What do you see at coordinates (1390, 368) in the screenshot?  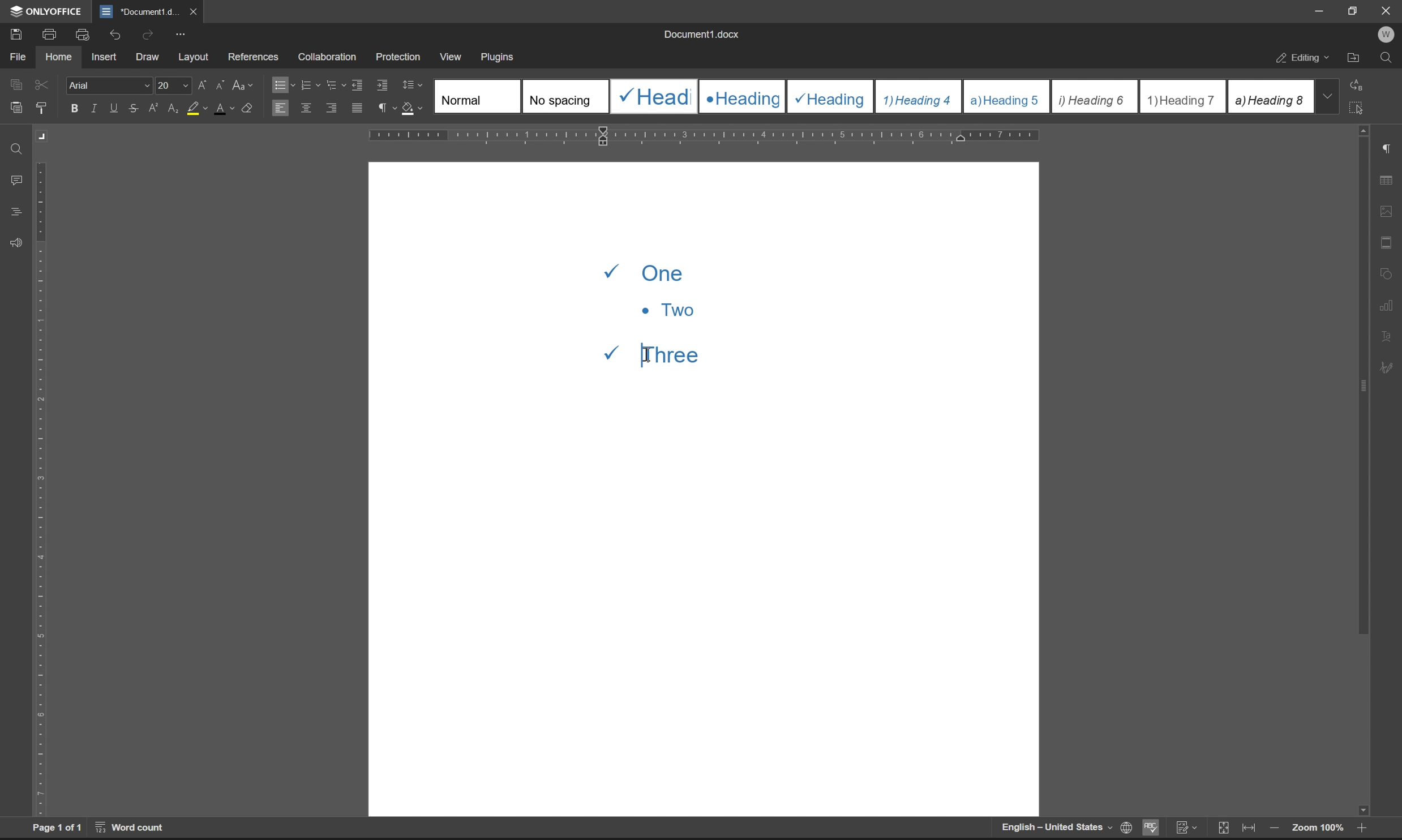 I see `signature settings` at bounding box center [1390, 368].